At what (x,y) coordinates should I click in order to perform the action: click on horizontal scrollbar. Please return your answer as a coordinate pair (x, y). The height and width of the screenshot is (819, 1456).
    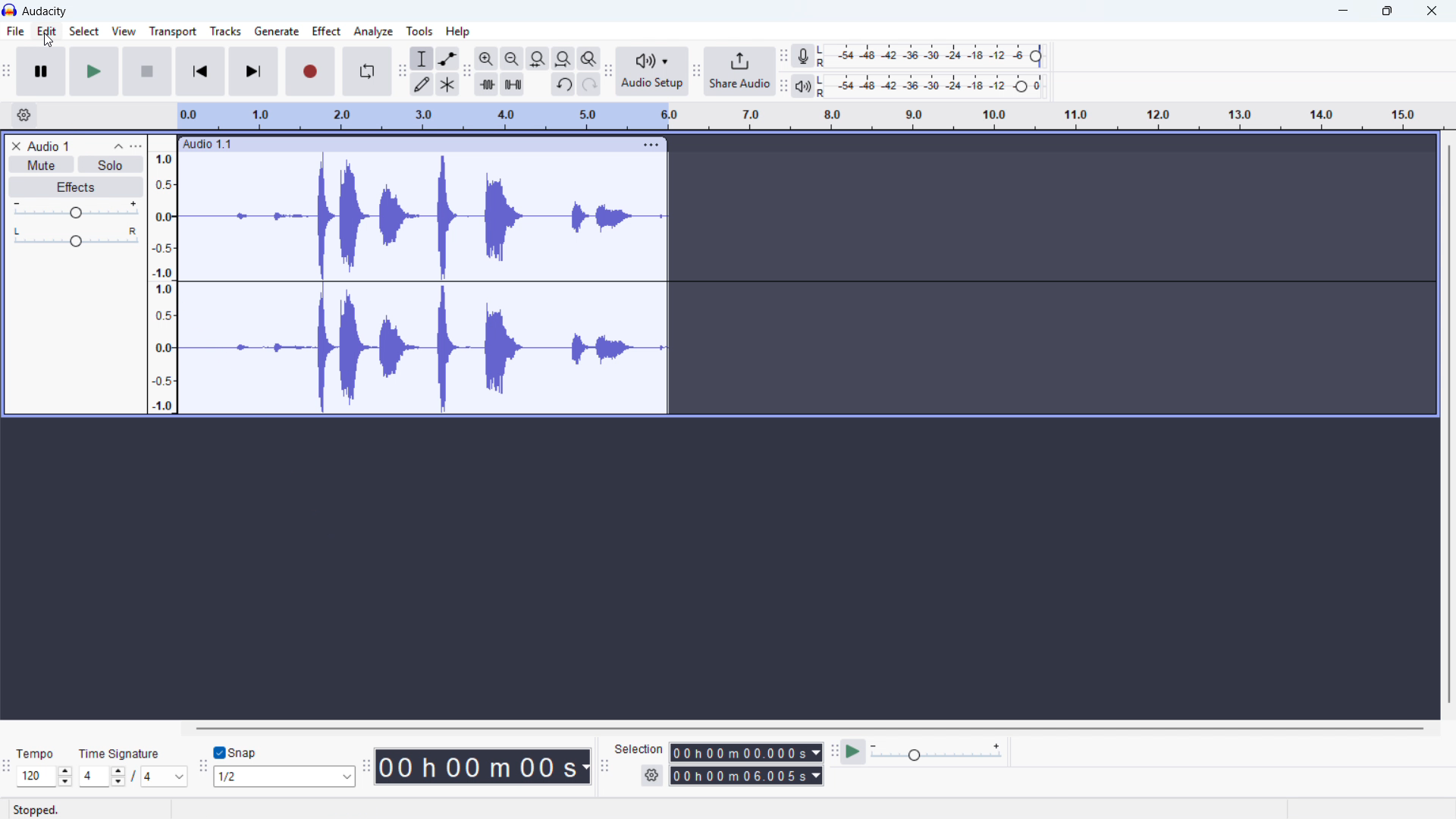
    Looking at the image, I should click on (812, 728).